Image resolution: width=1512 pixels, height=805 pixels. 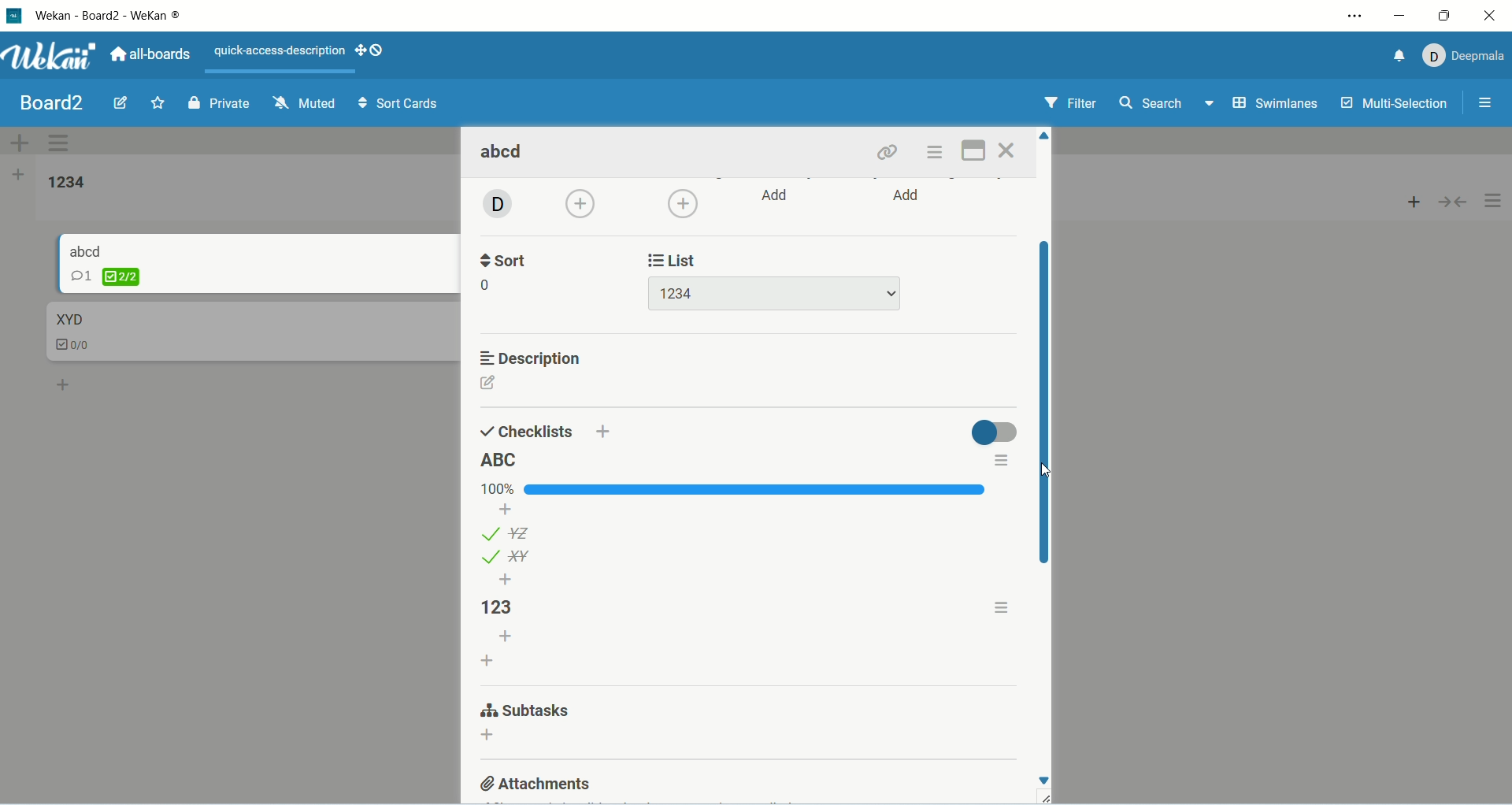 What do you see at coordinates (502, 461) in the screenshot?
I see `list title` at bounding box center [502, 461].